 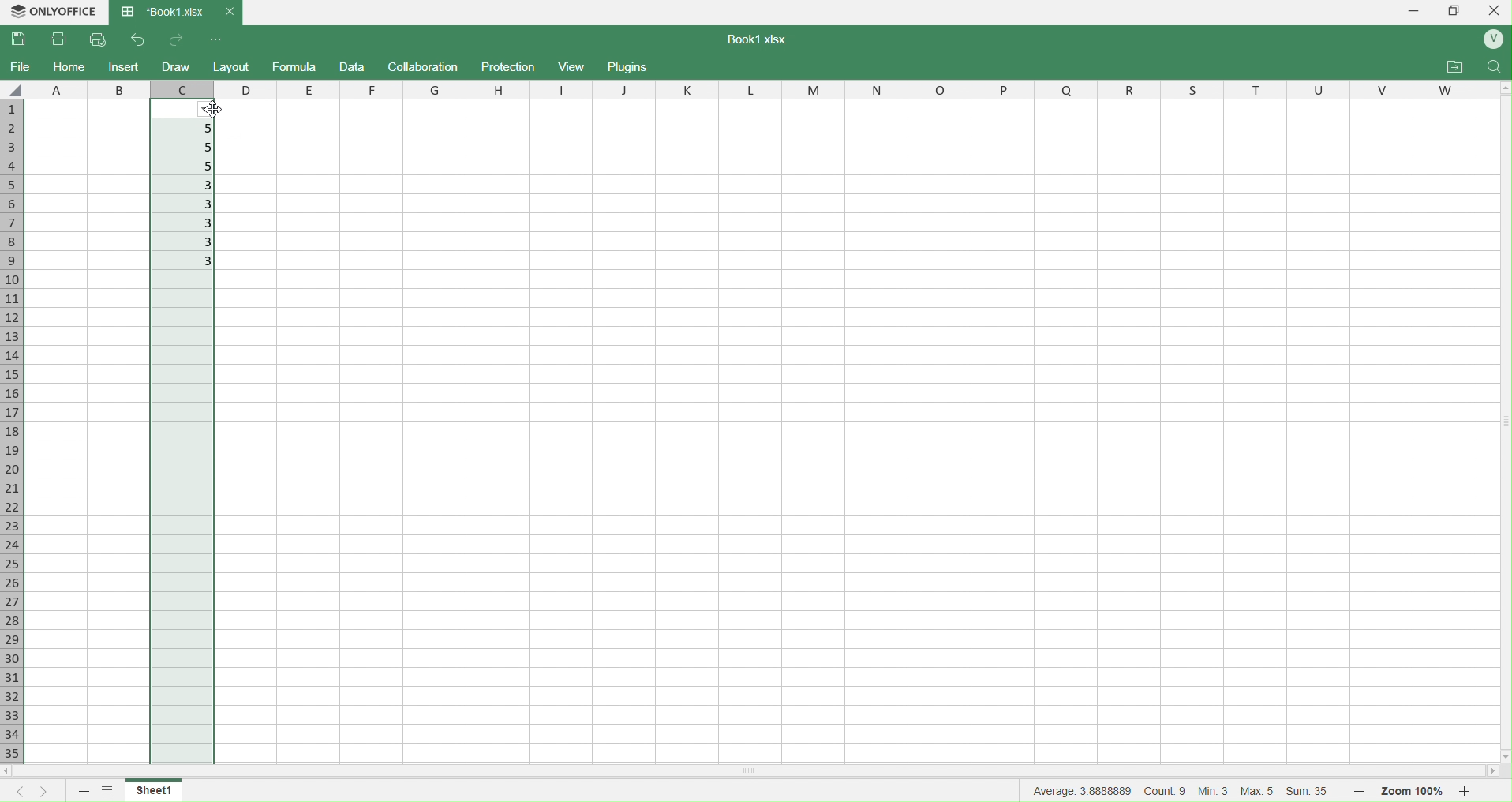 What do you see at coordinates (161, 790) in the screenshot?
I see `Sheet1` at bounding box center [161, 790].